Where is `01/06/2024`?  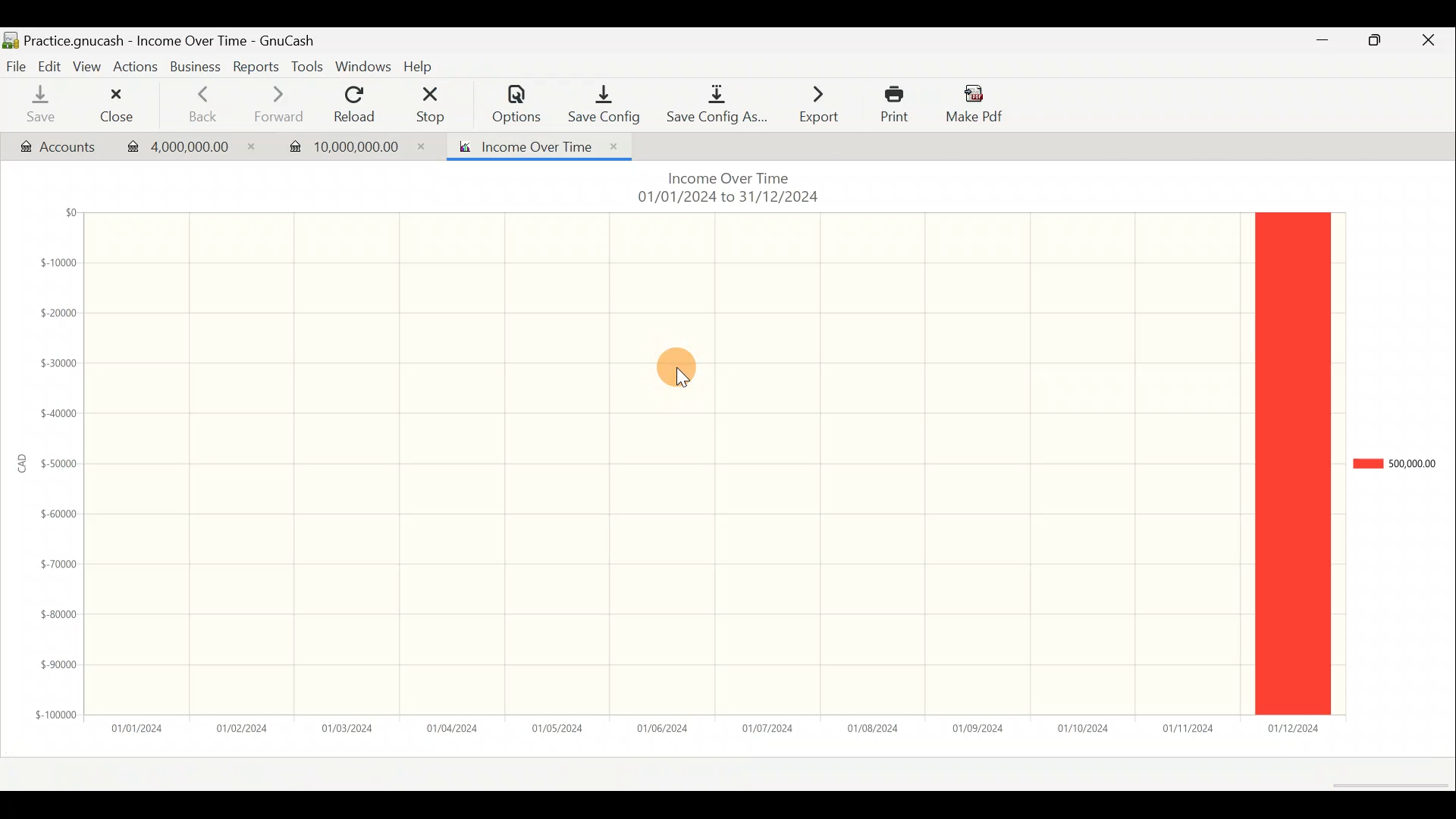
01/06/2024 is located at coordinates (659, 726).